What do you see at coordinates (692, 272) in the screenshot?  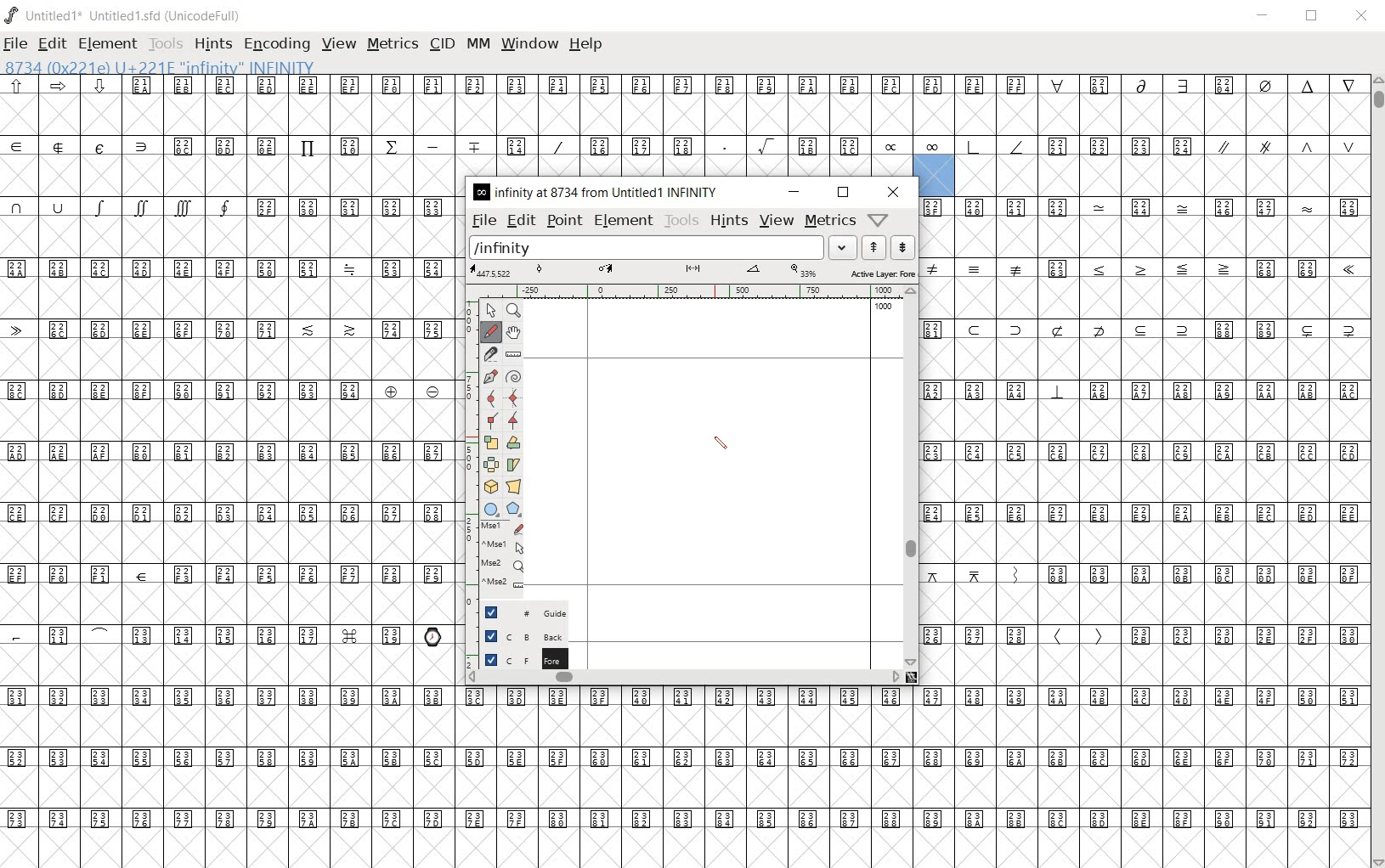 I see `active layer: fore` at bounding box center [692, 272].